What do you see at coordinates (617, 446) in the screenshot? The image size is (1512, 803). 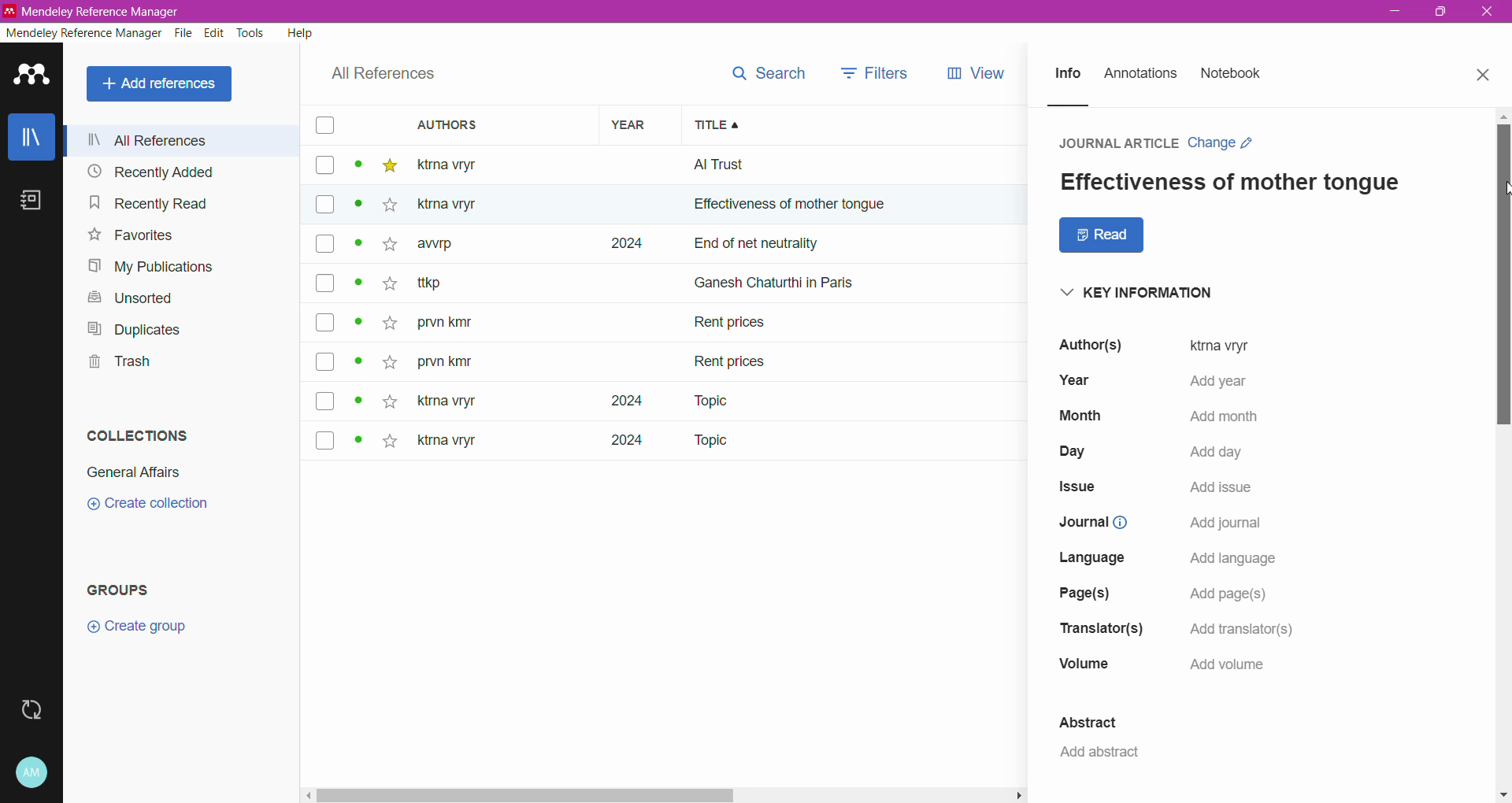 I see `2024` at bounding box center [617, 446].